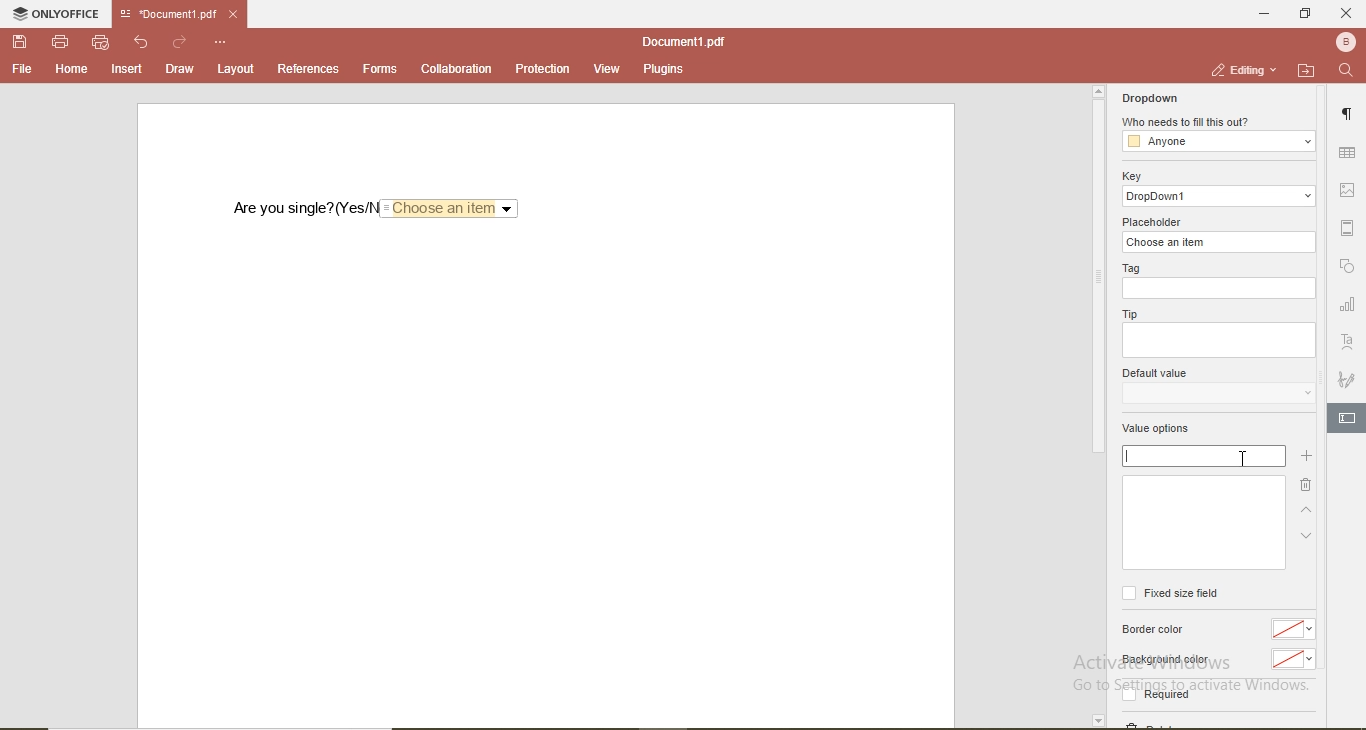 This screenshot has height=730, width=1366. I want to click on placeholder, so click(1151, 220).